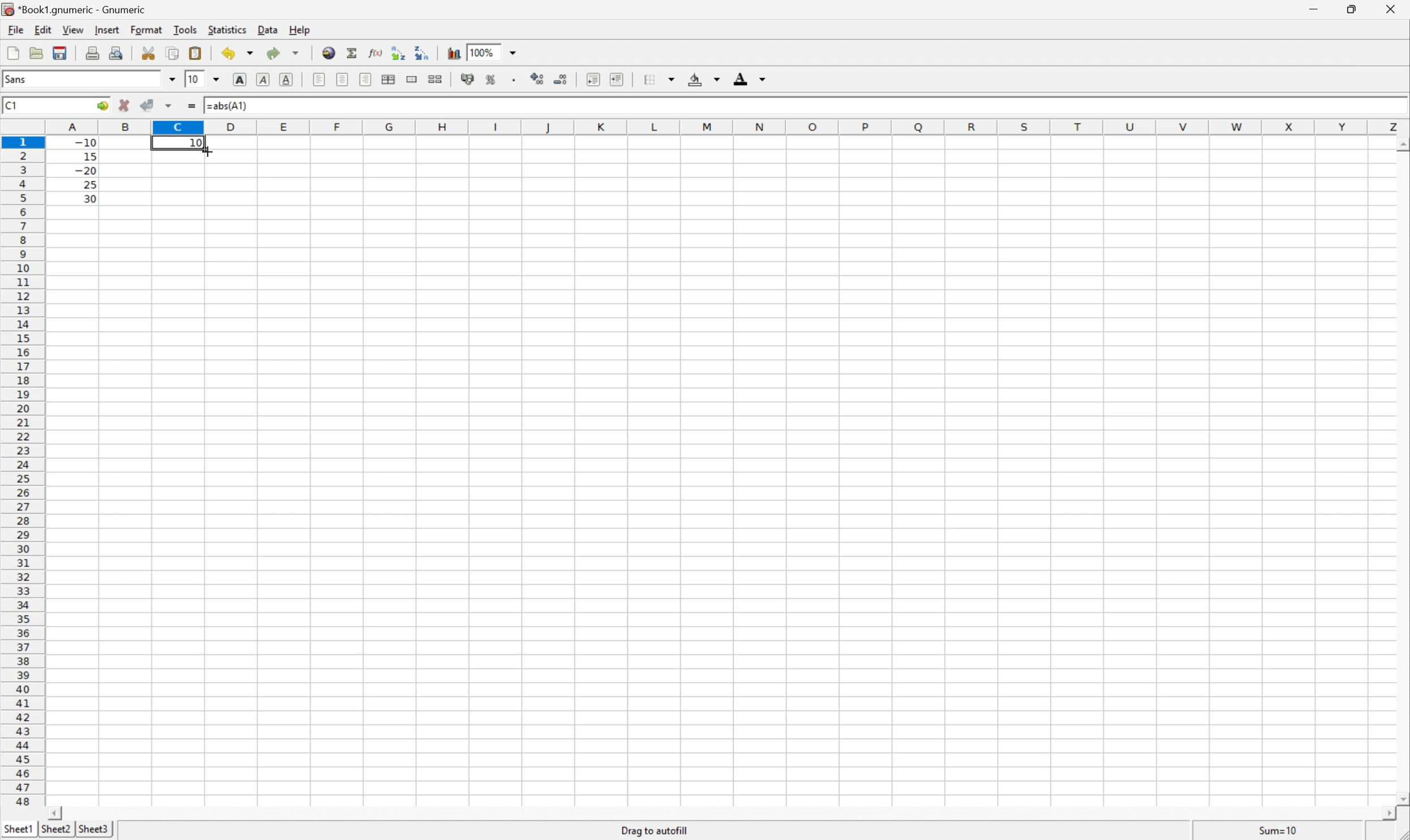  Describe the element at coordinates (152, 49) in the screenshot. I see `Copy the selection` at that location.